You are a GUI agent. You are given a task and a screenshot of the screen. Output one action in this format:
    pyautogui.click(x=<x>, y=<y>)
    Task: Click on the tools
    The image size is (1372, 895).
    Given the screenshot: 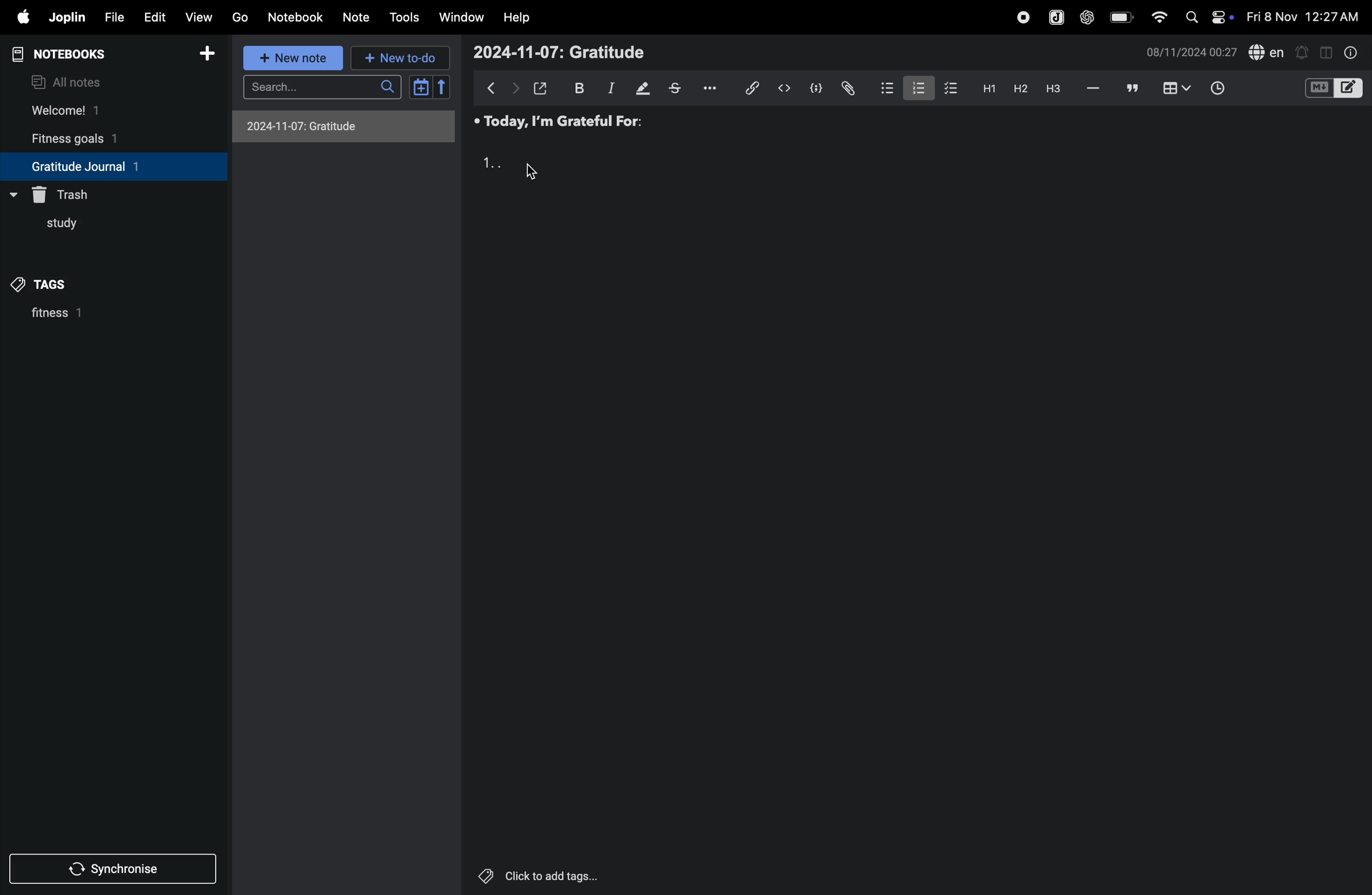 What is the action you would take?
    pyautogui.click(x=404, y=18)
    